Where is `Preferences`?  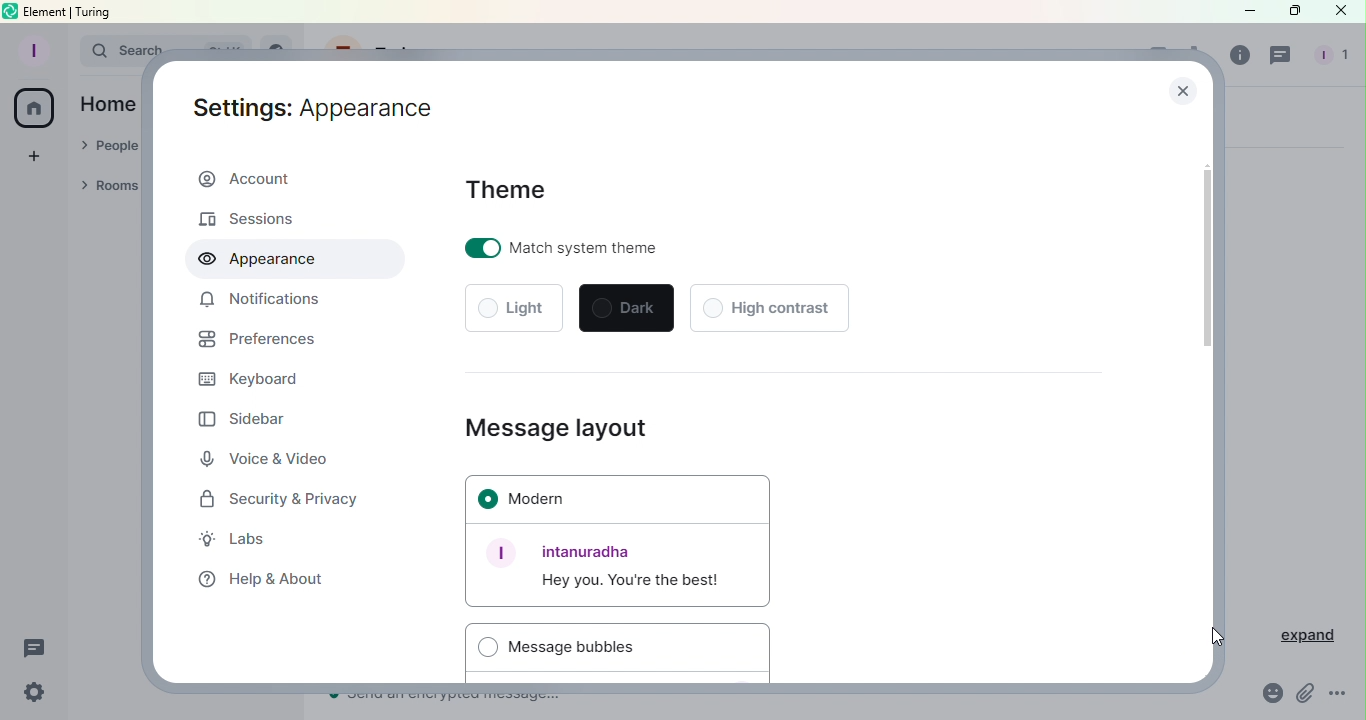
Preferences is located at coordinates (257, 342).